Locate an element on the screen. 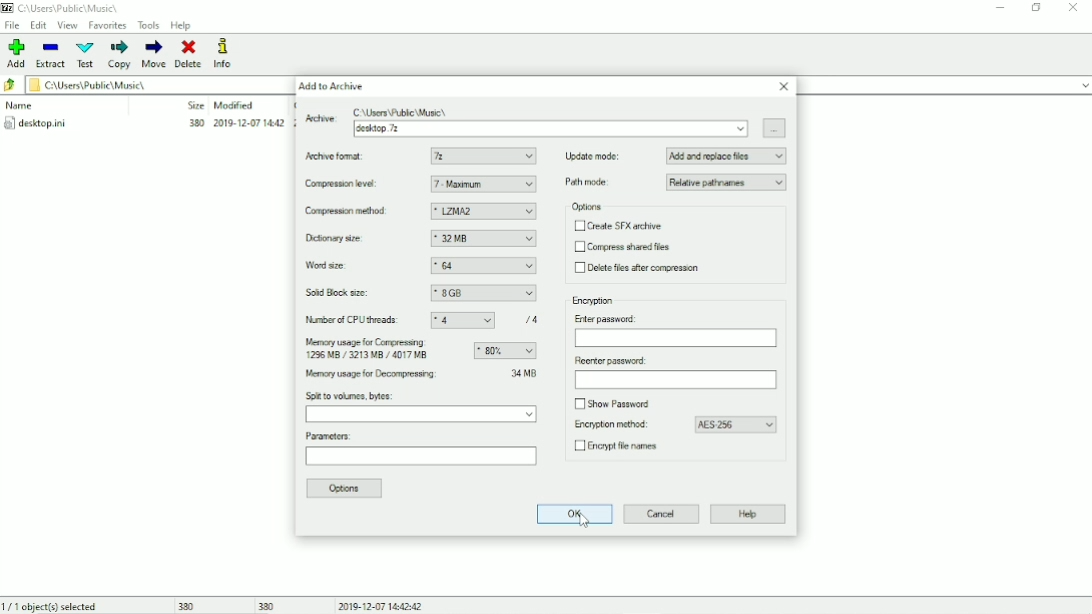  380 is located at coordinates (184, 606).